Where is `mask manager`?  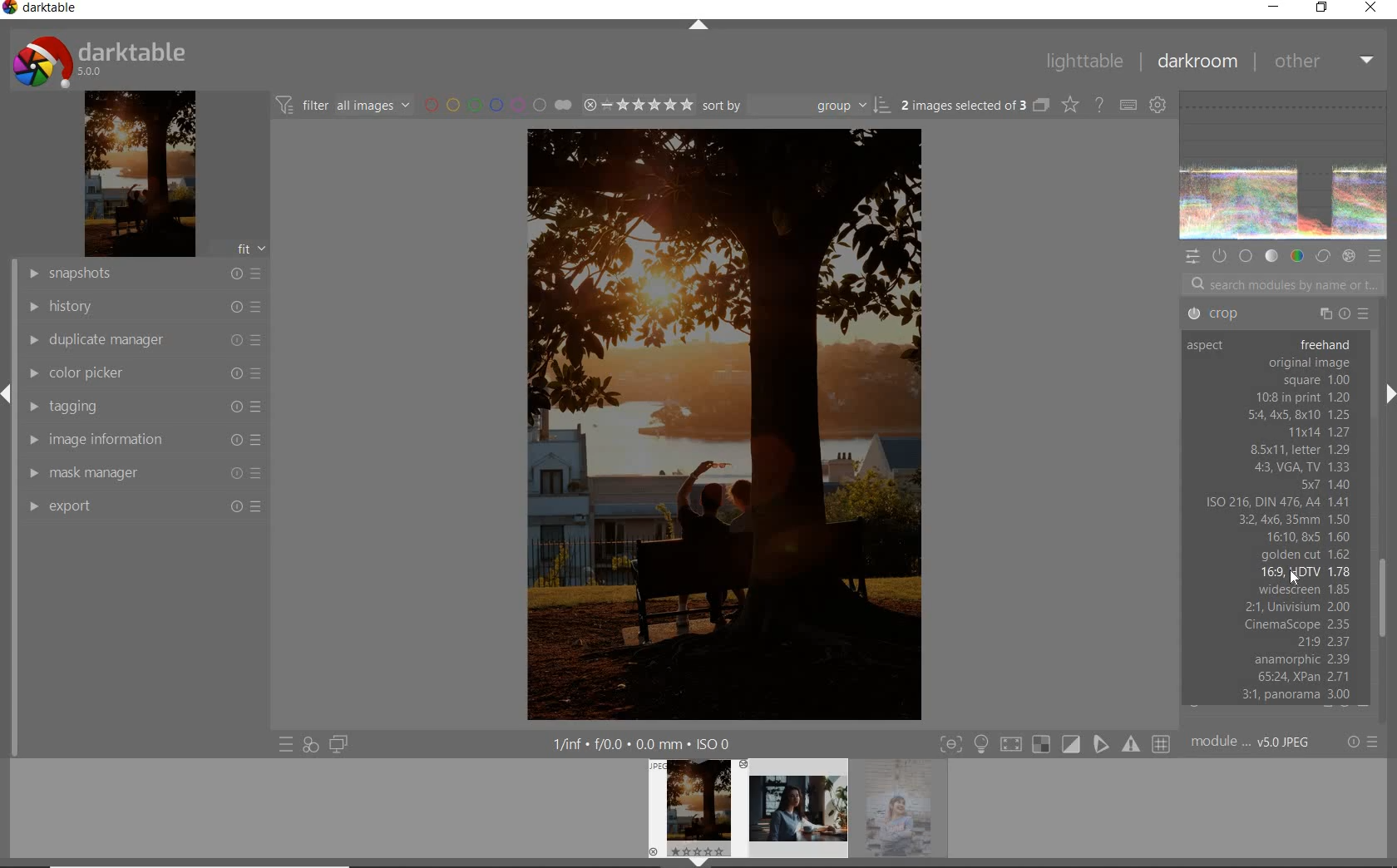 mask manager is located at coordinates (143, 472).